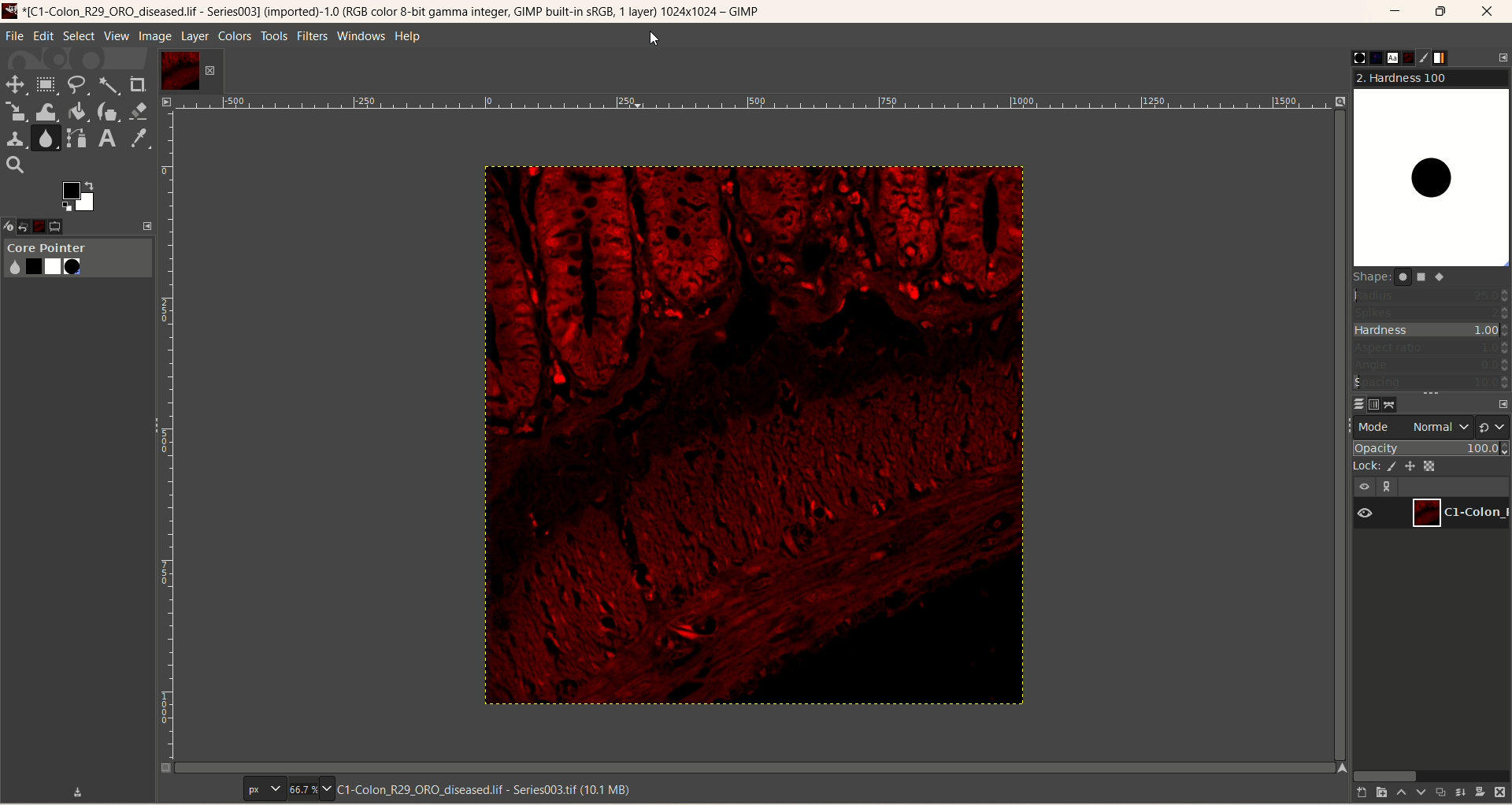 The image size is (1512, 805). I want to click on brushes, so click(1347, 57).